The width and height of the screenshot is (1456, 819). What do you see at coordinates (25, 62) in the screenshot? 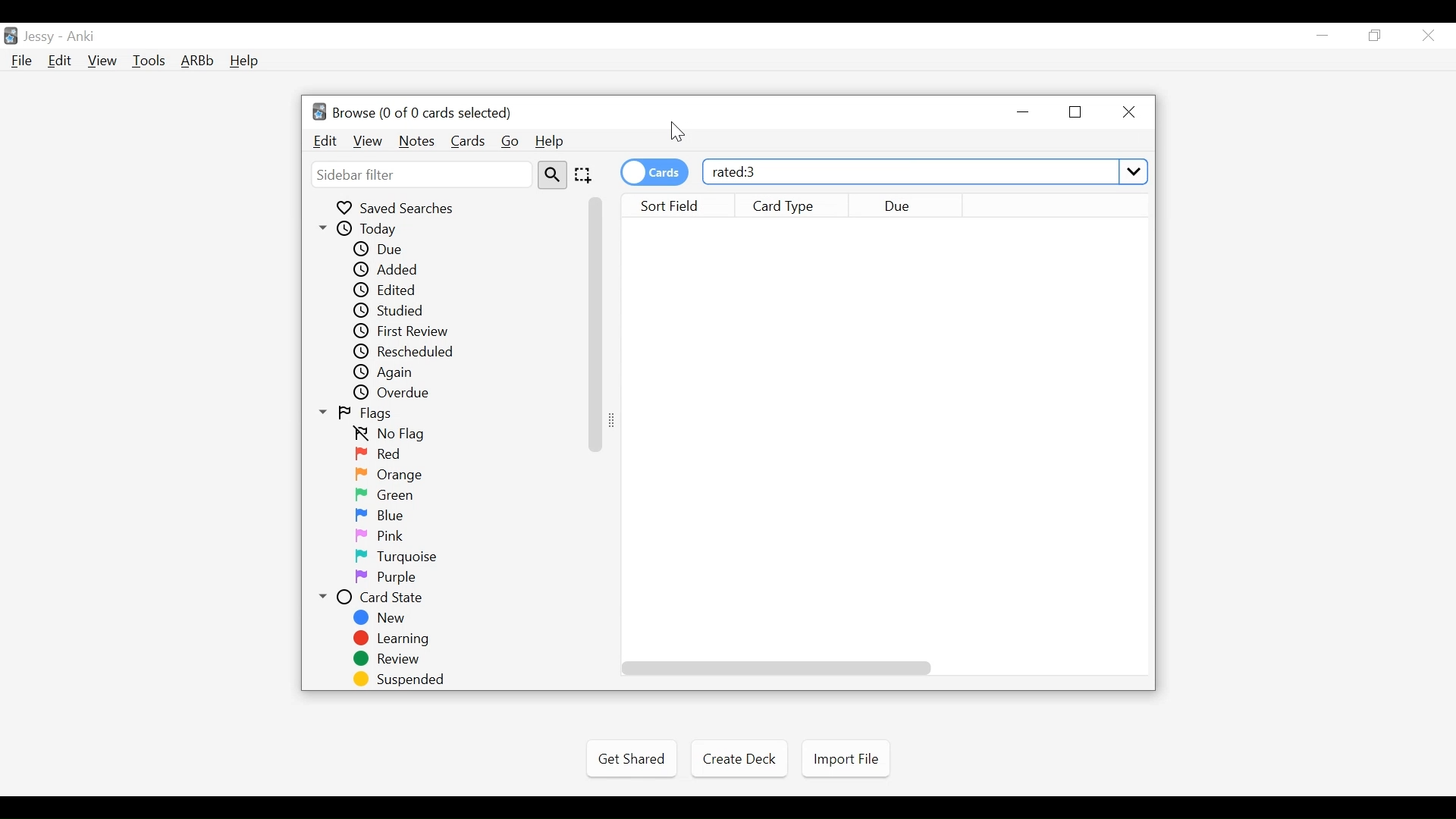
I see `File` at bounding box center [25, 62].